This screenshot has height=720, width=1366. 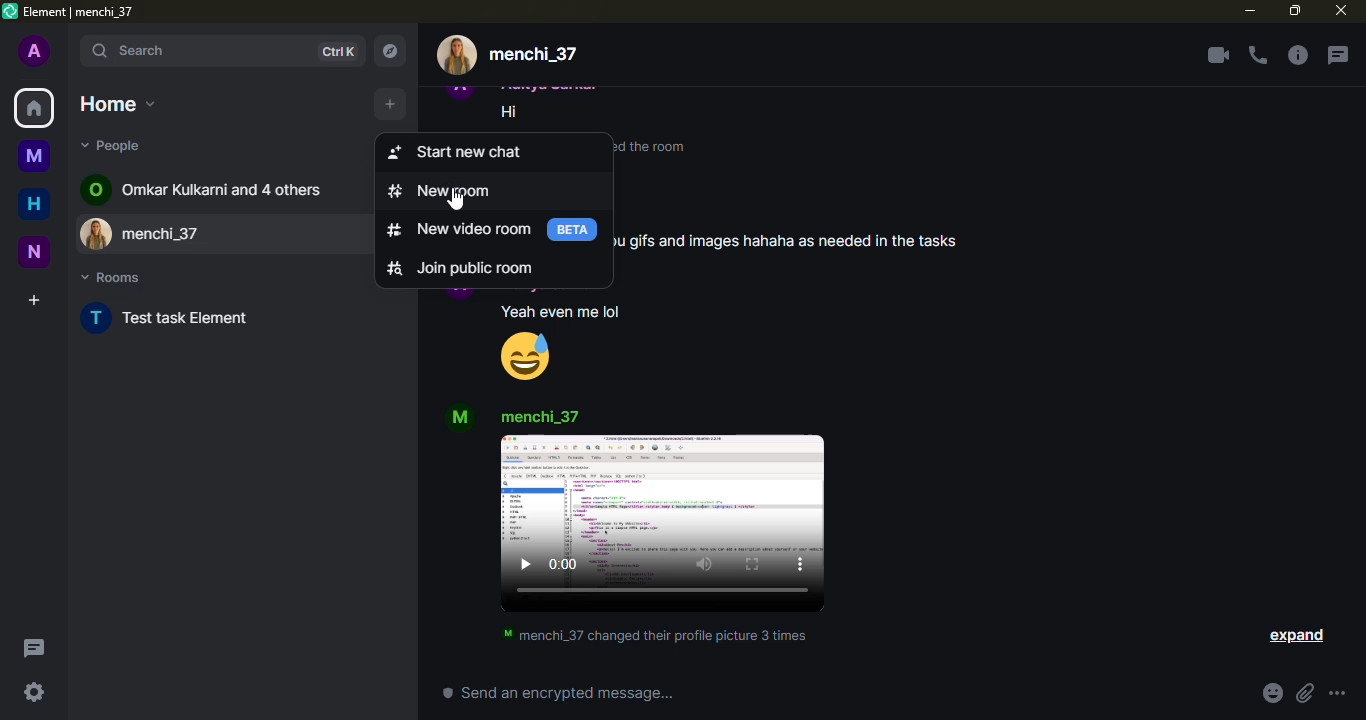 What do you see at coordinates (655, 635) in the screenshot?
I see `menchi_37 changed their profile picture 3 times` at bounding box center [655, 635].